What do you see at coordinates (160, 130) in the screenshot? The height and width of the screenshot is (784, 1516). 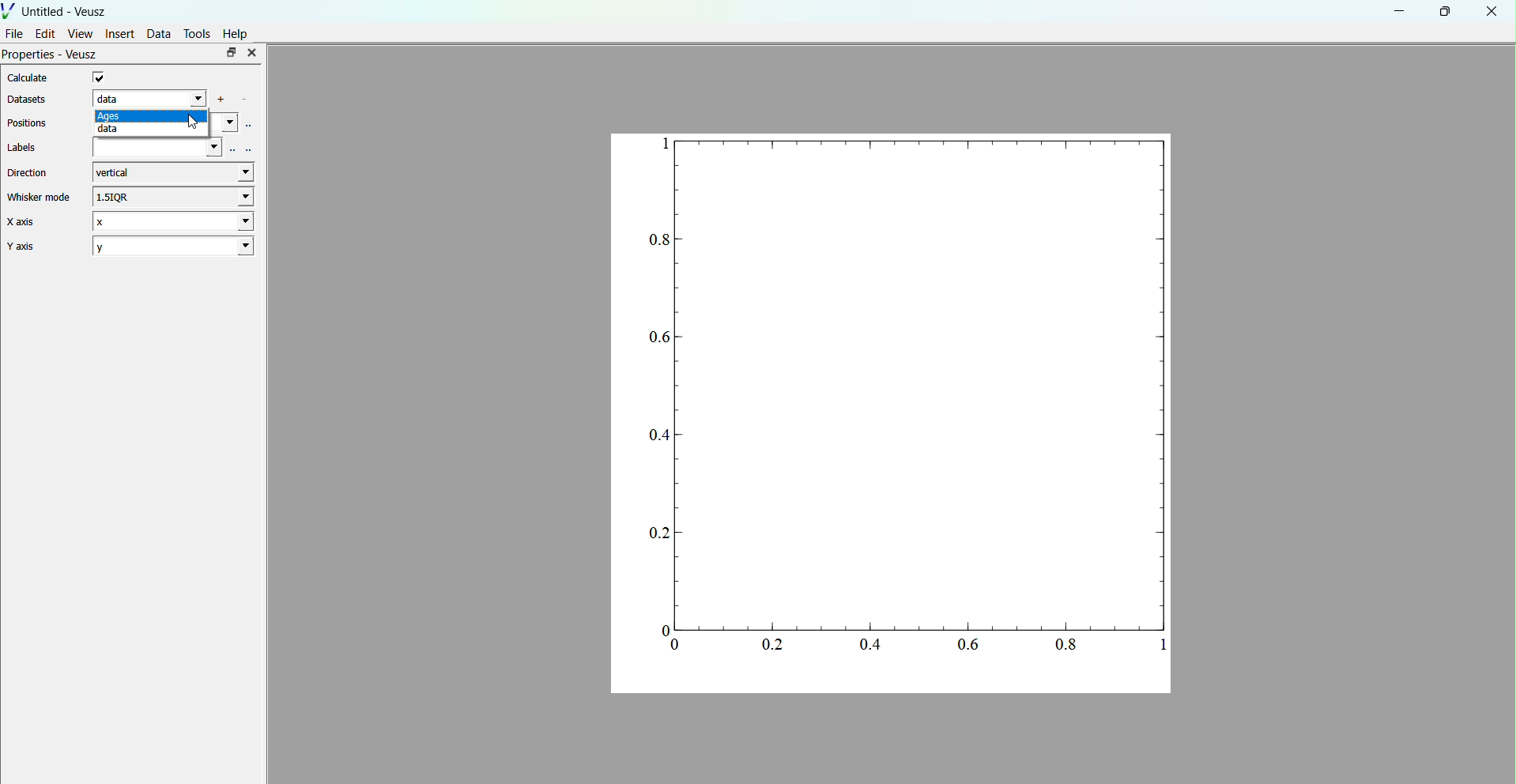 I see `date` at bounding box center [160, 130].